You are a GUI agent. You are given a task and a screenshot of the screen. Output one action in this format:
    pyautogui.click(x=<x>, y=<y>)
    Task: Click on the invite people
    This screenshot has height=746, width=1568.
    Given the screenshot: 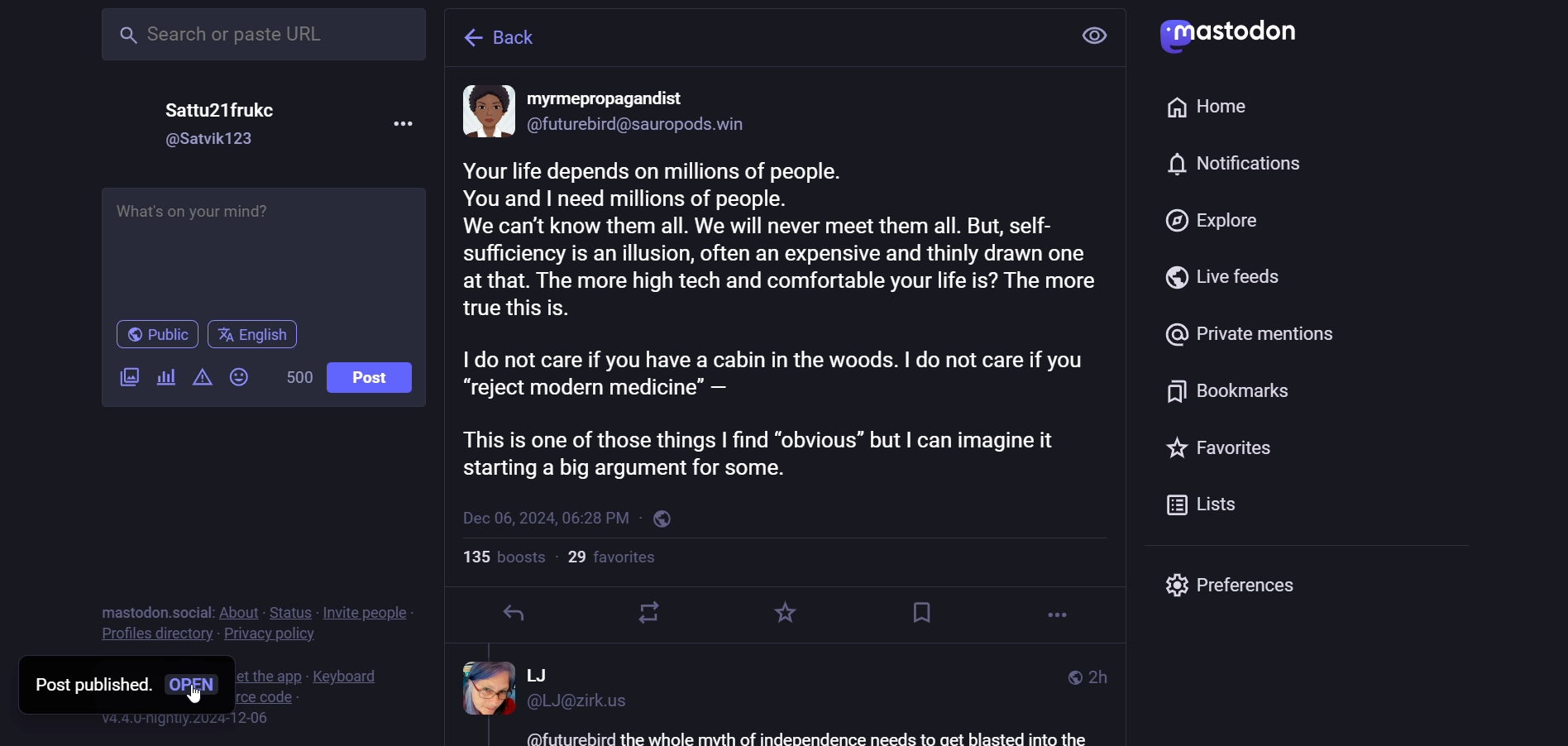 What is the action you would take?
    pyautogui.click(x=370, y=612)
    